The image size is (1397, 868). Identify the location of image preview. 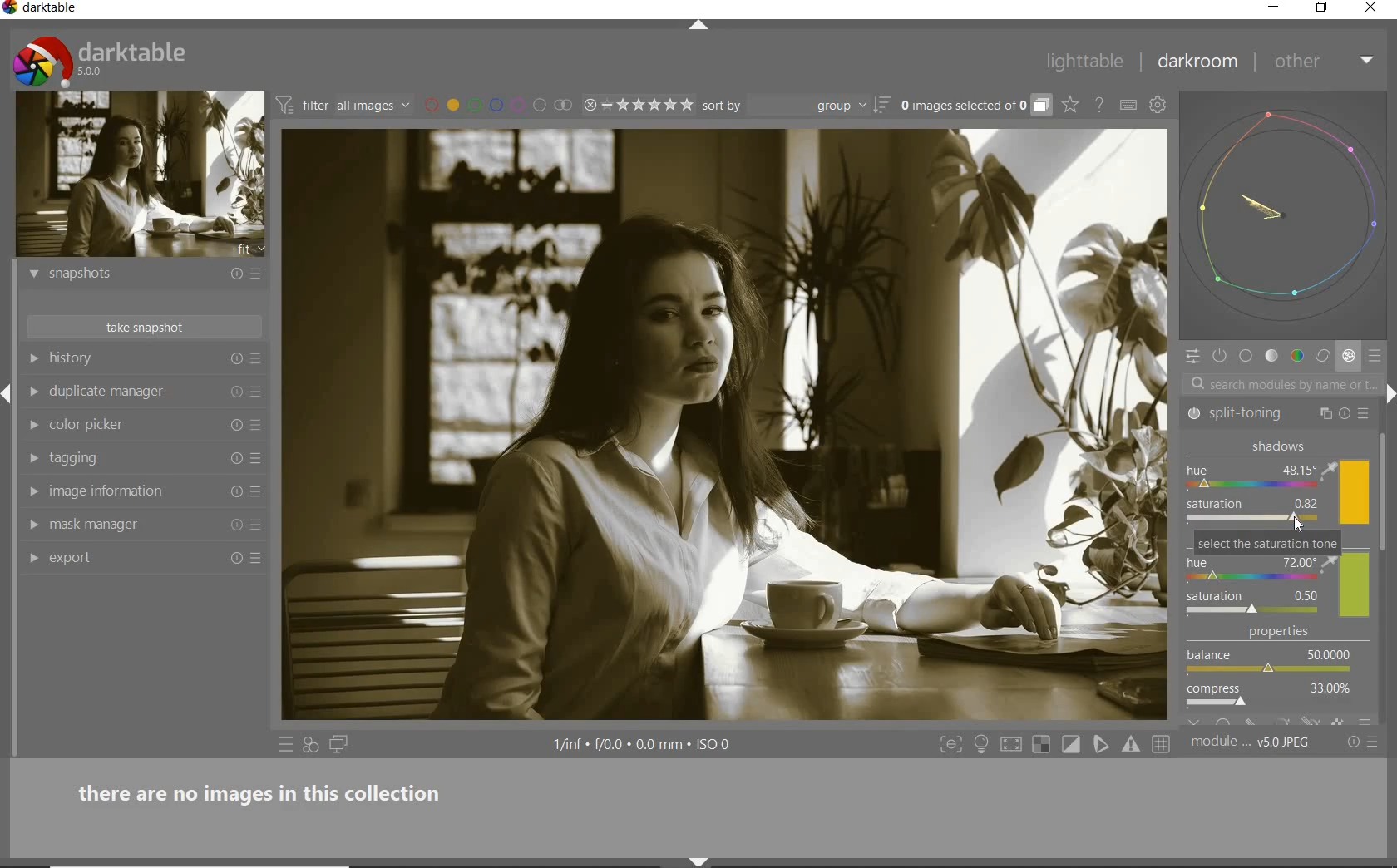
(141, 175).